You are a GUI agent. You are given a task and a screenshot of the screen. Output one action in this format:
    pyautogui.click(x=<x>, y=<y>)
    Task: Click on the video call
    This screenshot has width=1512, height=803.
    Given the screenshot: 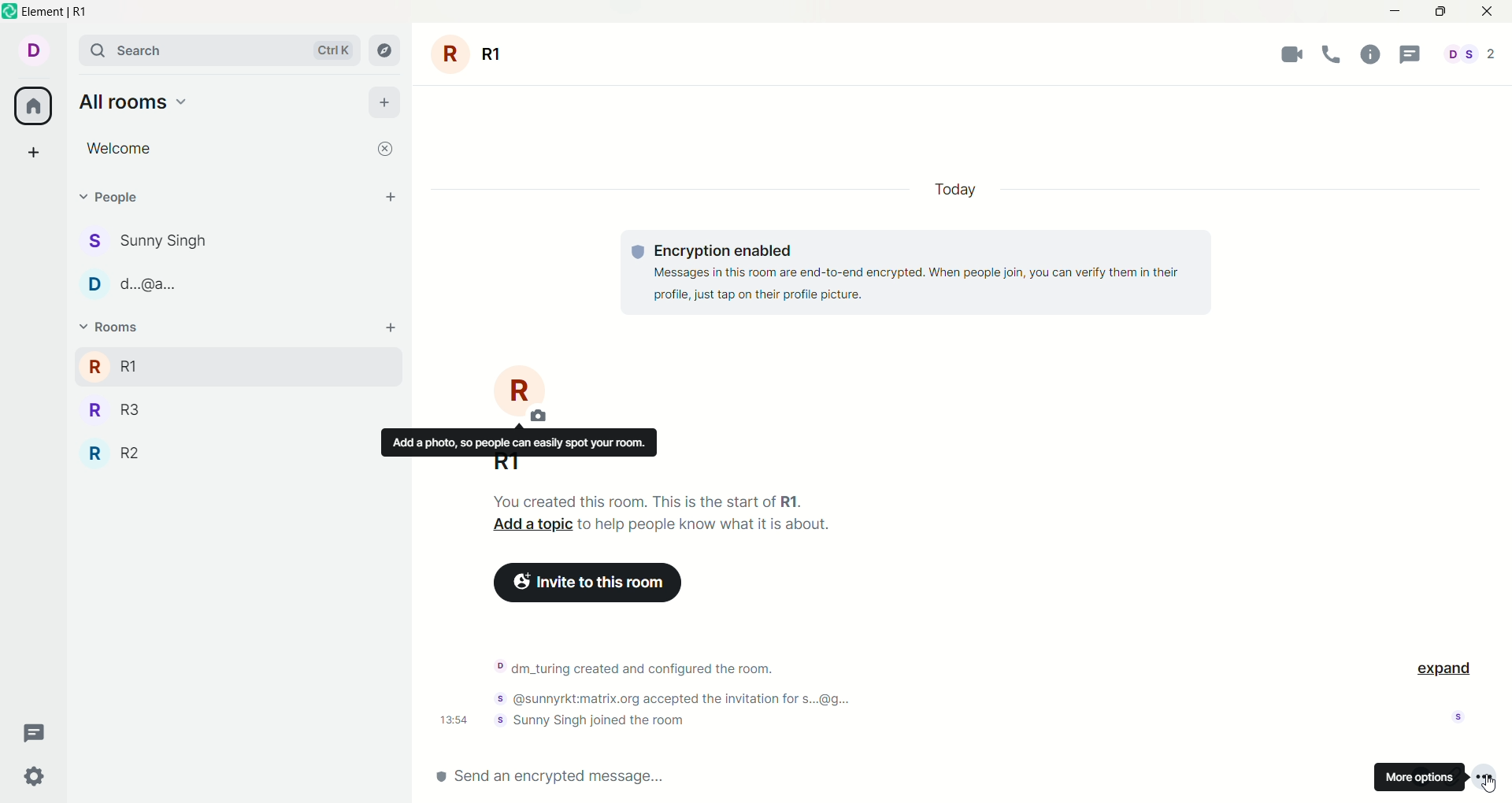 What is the action you would take?
    pyautogui.click(x=1291, y=54)
    